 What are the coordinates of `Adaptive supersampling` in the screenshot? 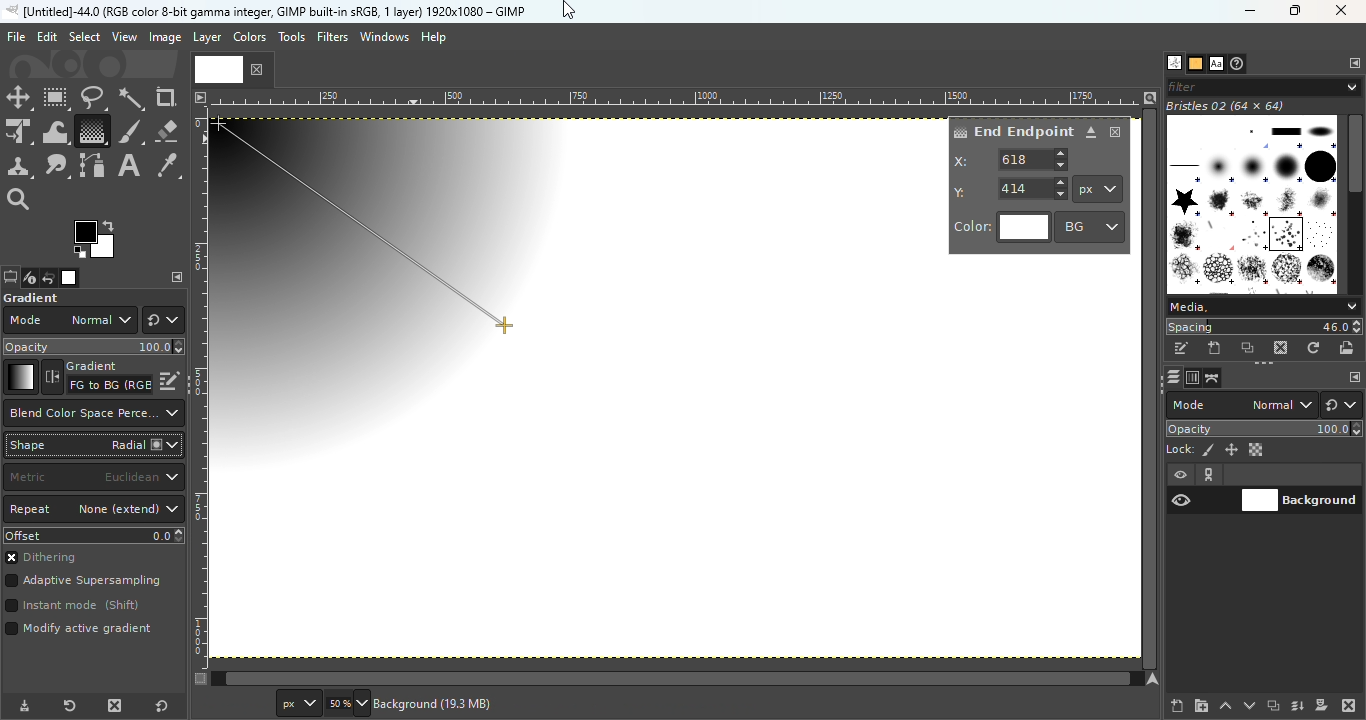 It's located at (84, 583).